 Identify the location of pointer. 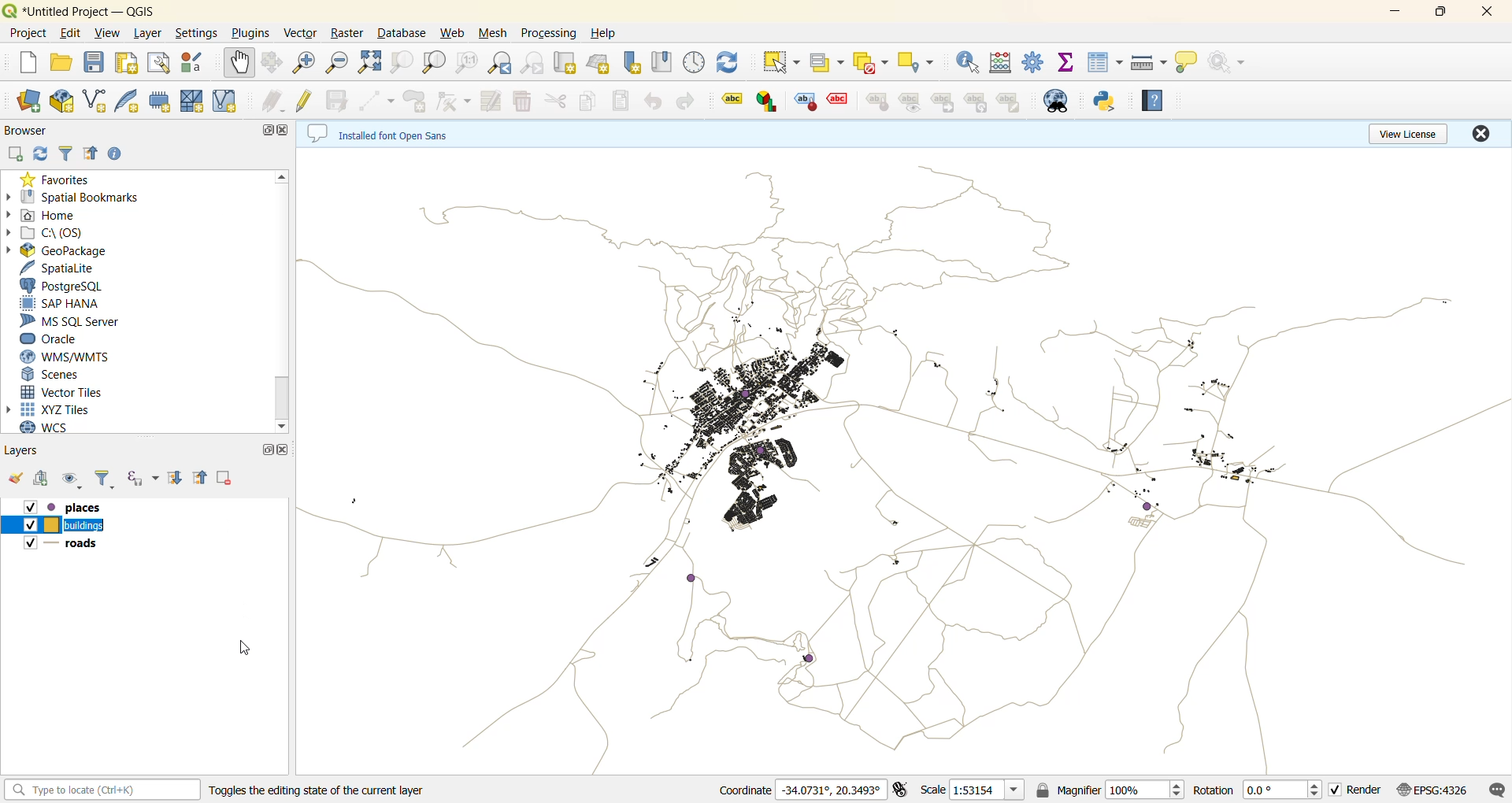
(239, 648).